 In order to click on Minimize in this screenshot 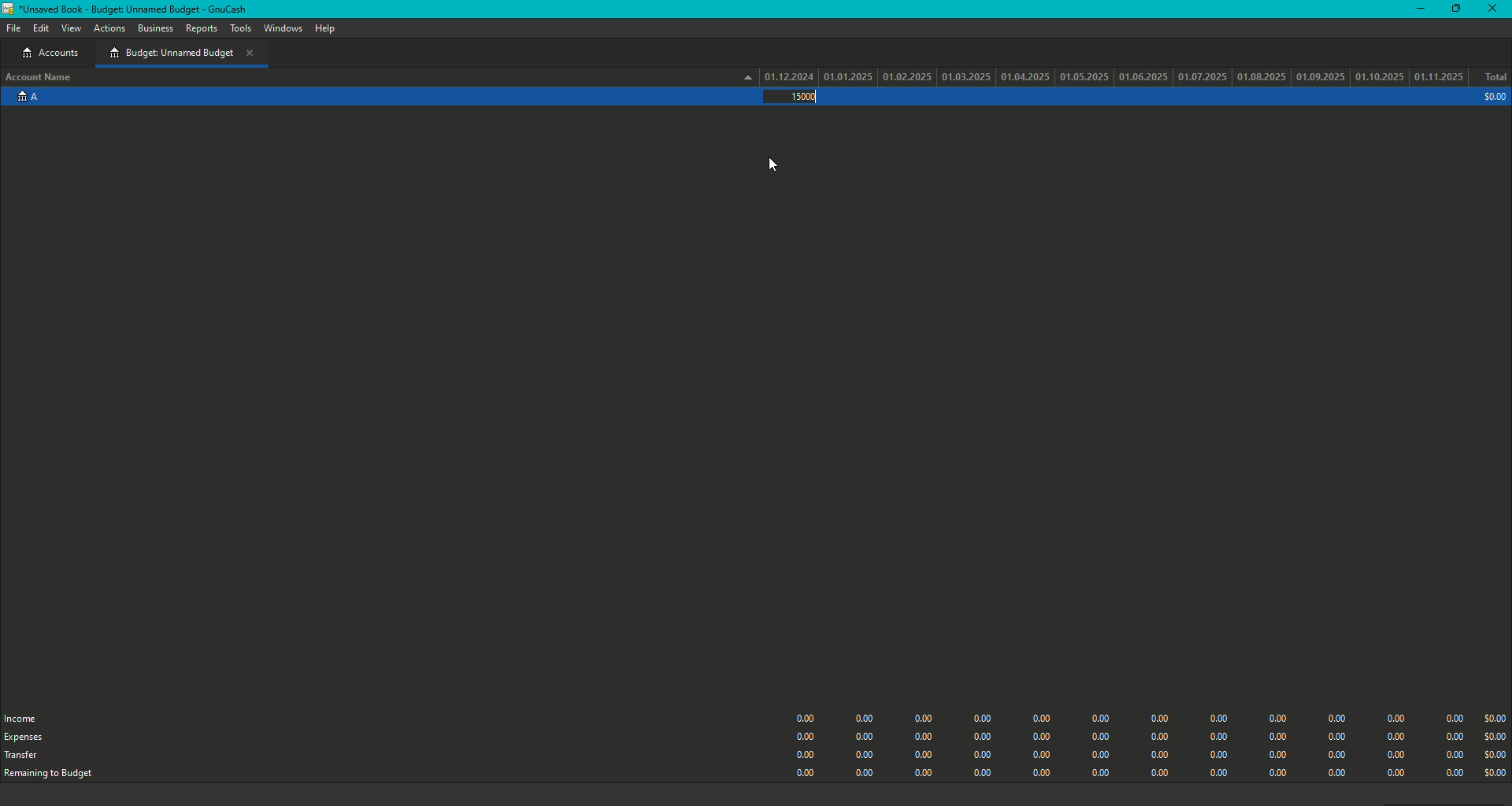, I will do `click(1417, 8)`.